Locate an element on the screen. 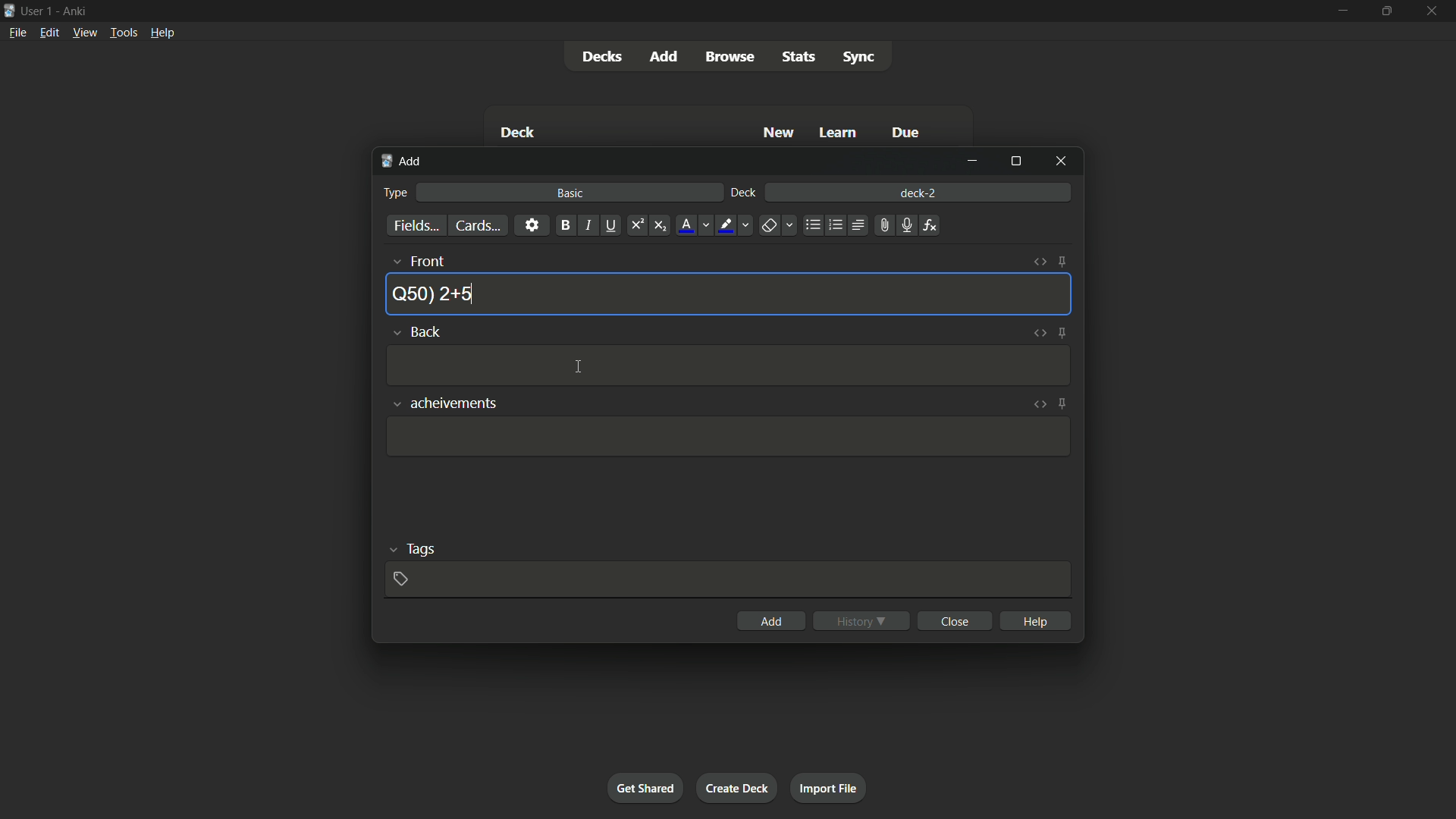 The image size is (1456, 819). file menu is located at coordinates (18, 33).